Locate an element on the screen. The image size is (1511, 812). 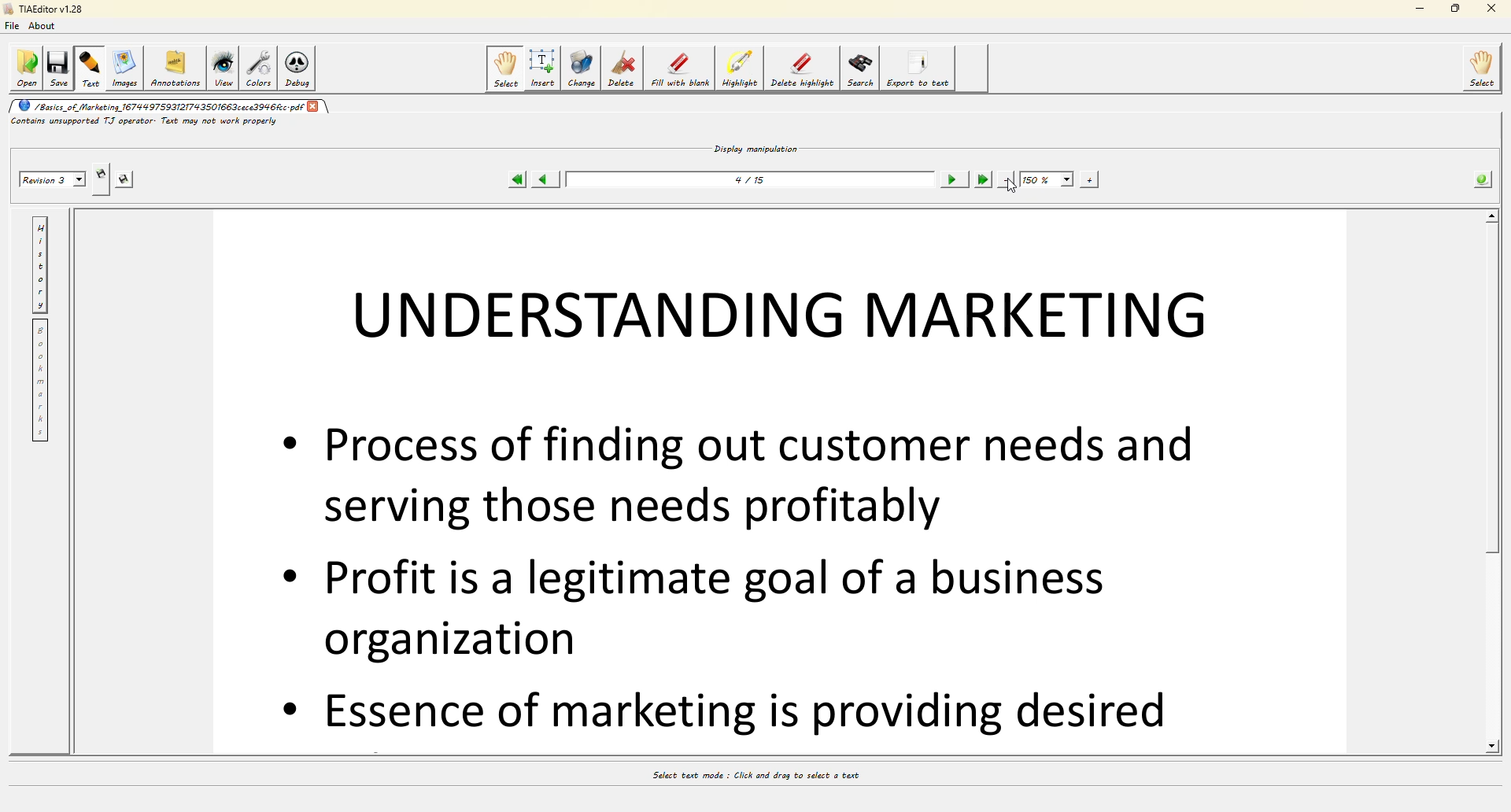
change is located at coordinates (582, 70).